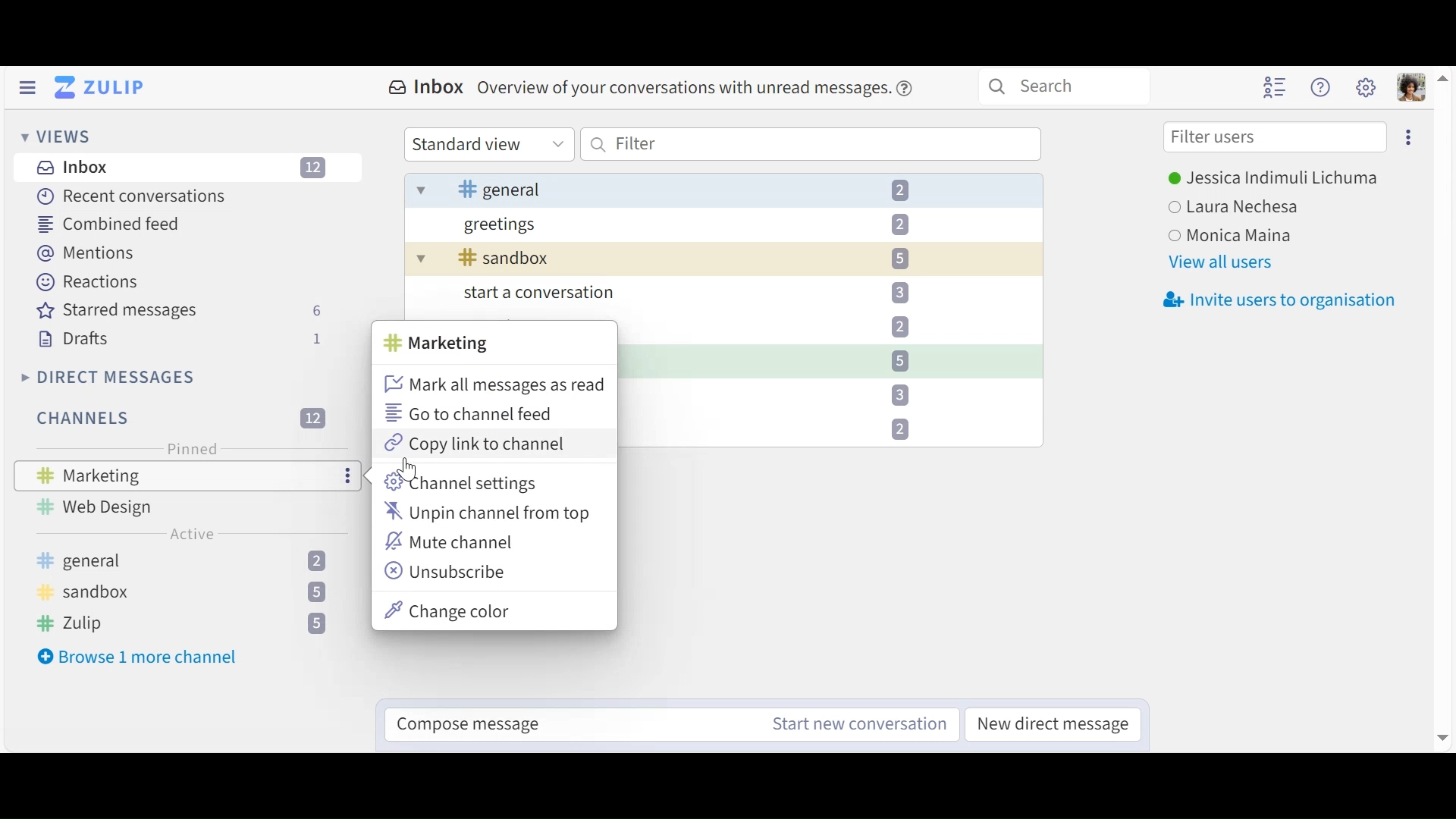 This screenshot has width=1456, height=819. I want to click on Reaction, so click(87, 281).